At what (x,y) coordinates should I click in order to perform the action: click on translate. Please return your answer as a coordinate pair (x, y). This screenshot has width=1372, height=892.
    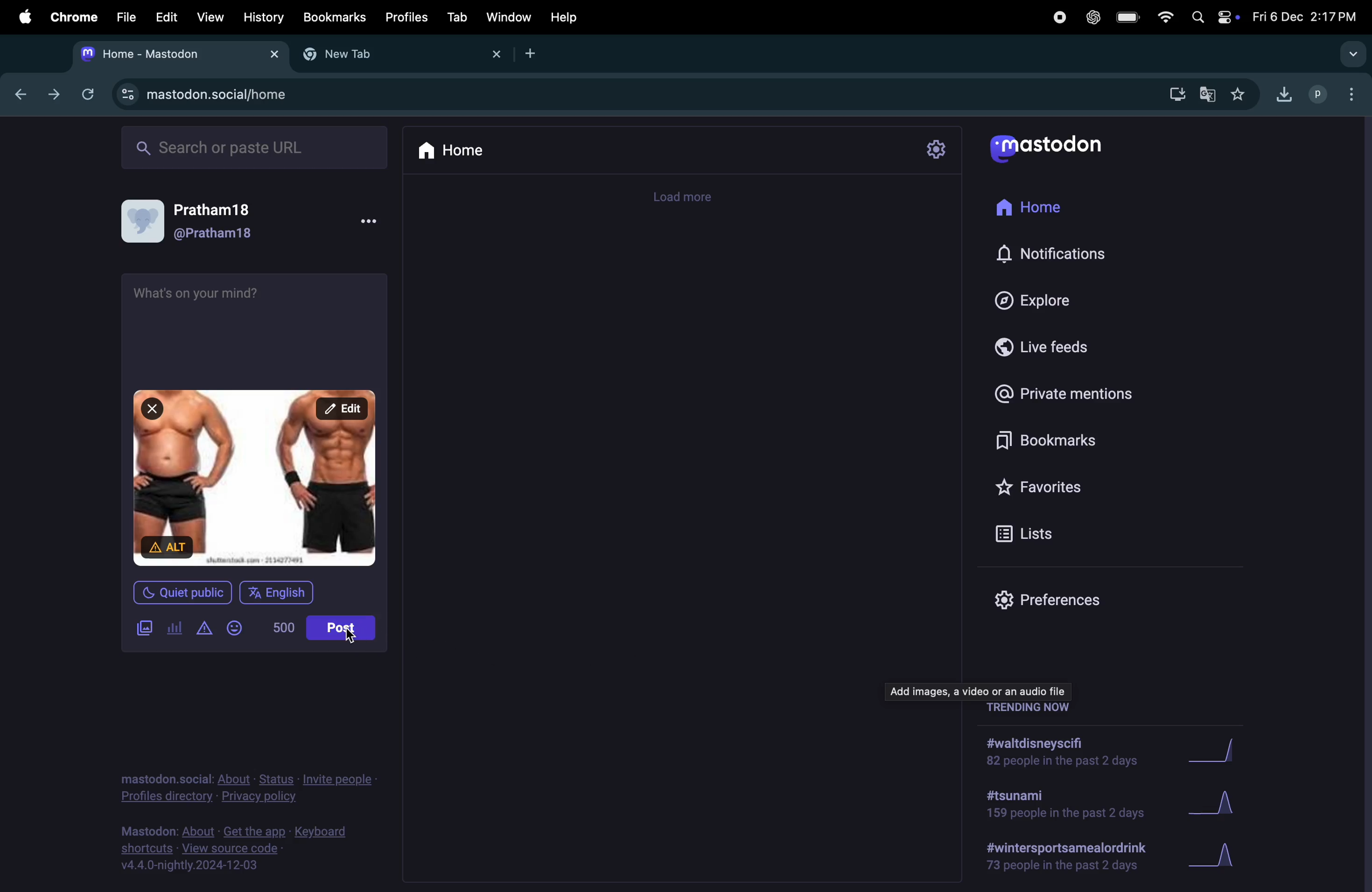
    Looking at the image, I should click on (1211, 96).